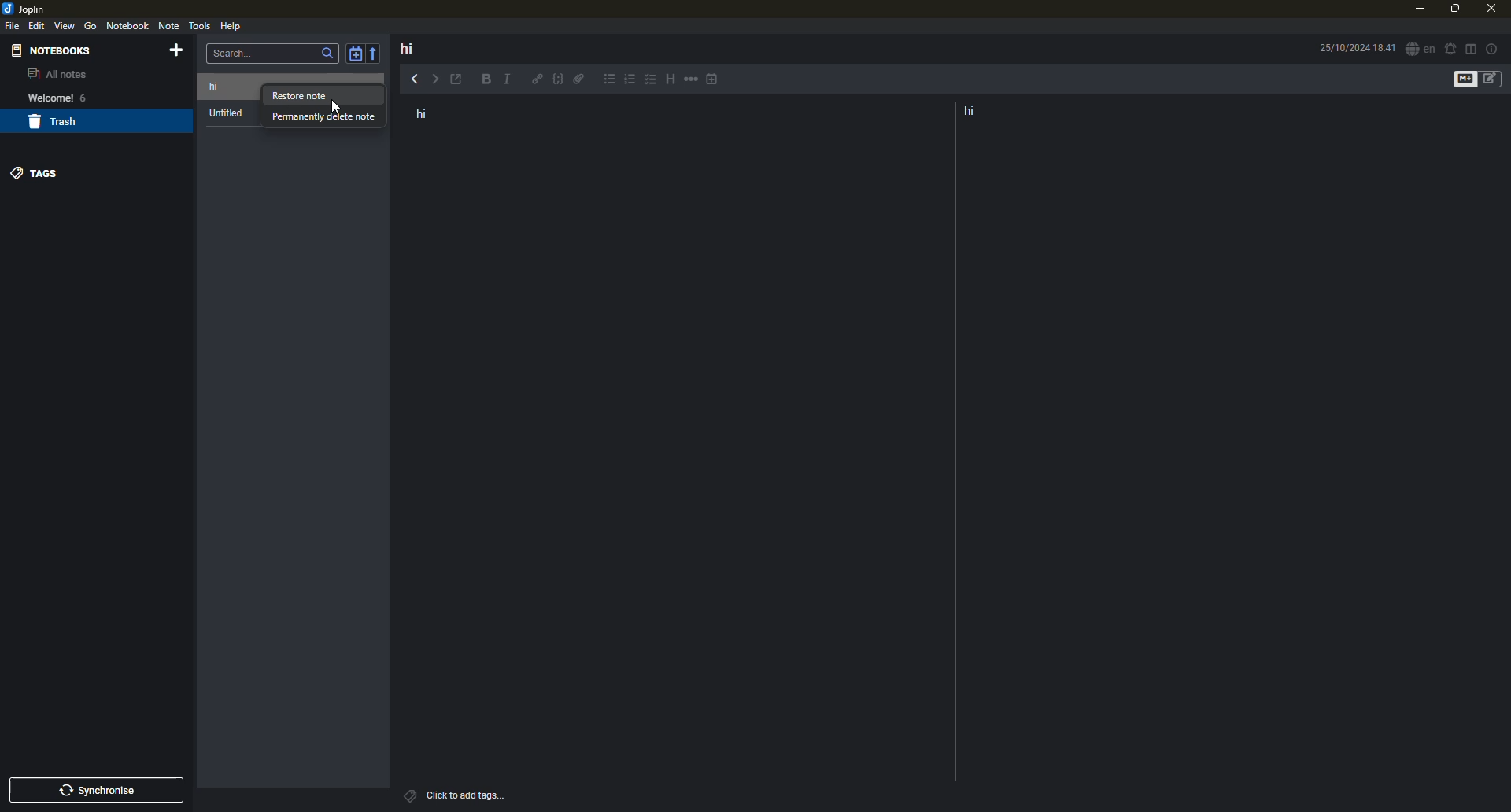 This screenshot has width=1511, height=812. What do you see at coordinates (171, 27) in the screenshot?
I see `note` at bounding box center [171, 27].